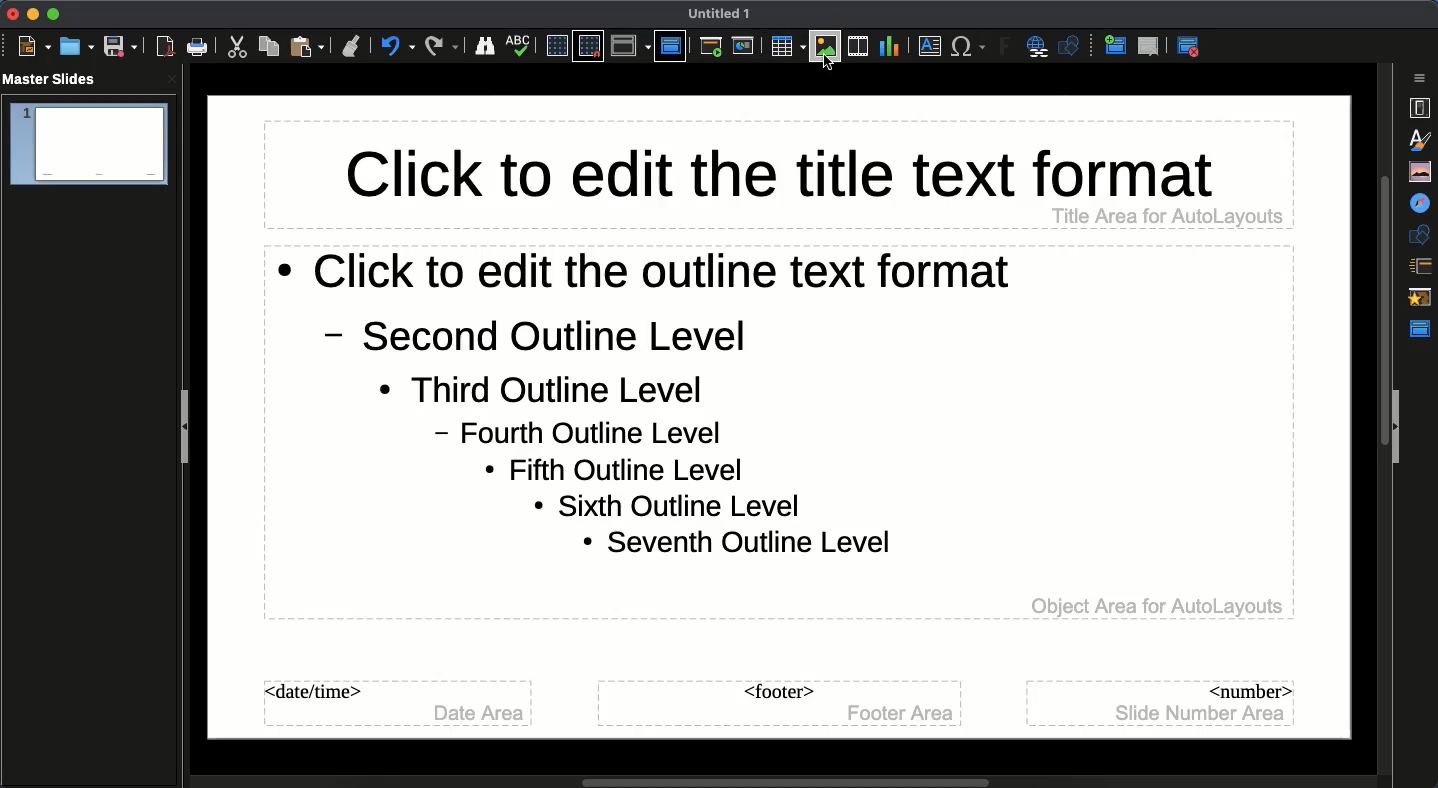 This screenshot has height=788, width=1438. I want to click on Save as PDF, so click(167, 49).